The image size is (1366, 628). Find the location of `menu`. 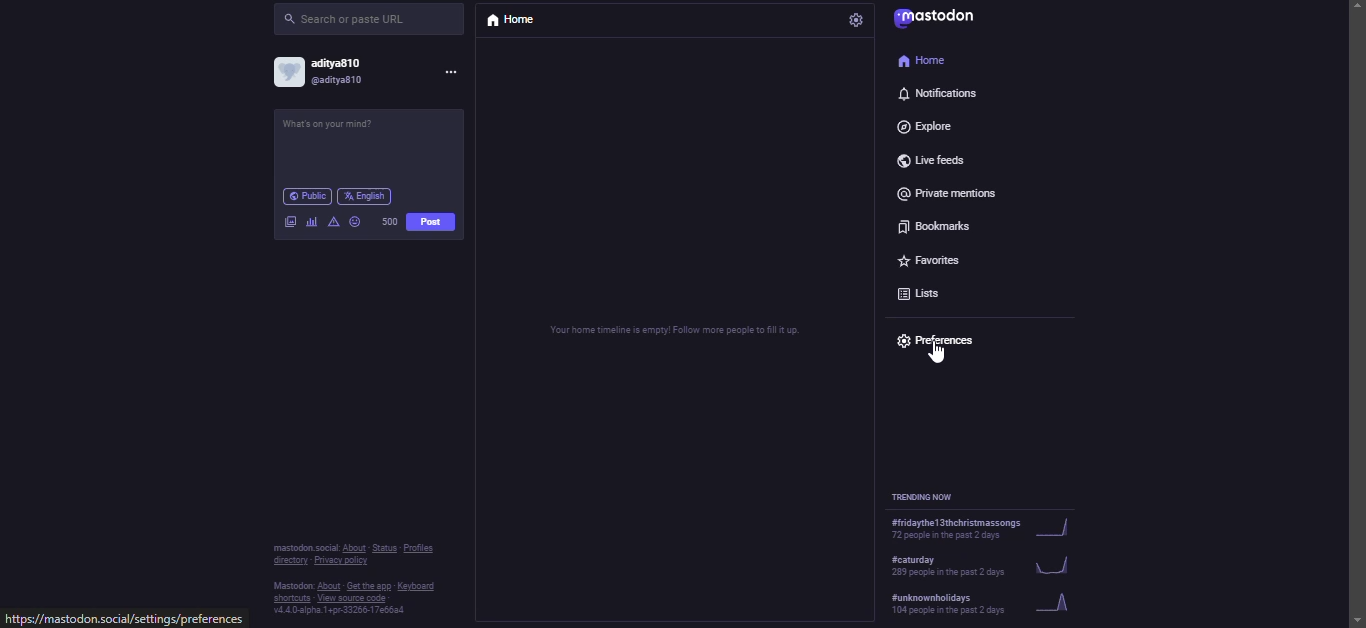

menu is located at coordinates (448, 72).